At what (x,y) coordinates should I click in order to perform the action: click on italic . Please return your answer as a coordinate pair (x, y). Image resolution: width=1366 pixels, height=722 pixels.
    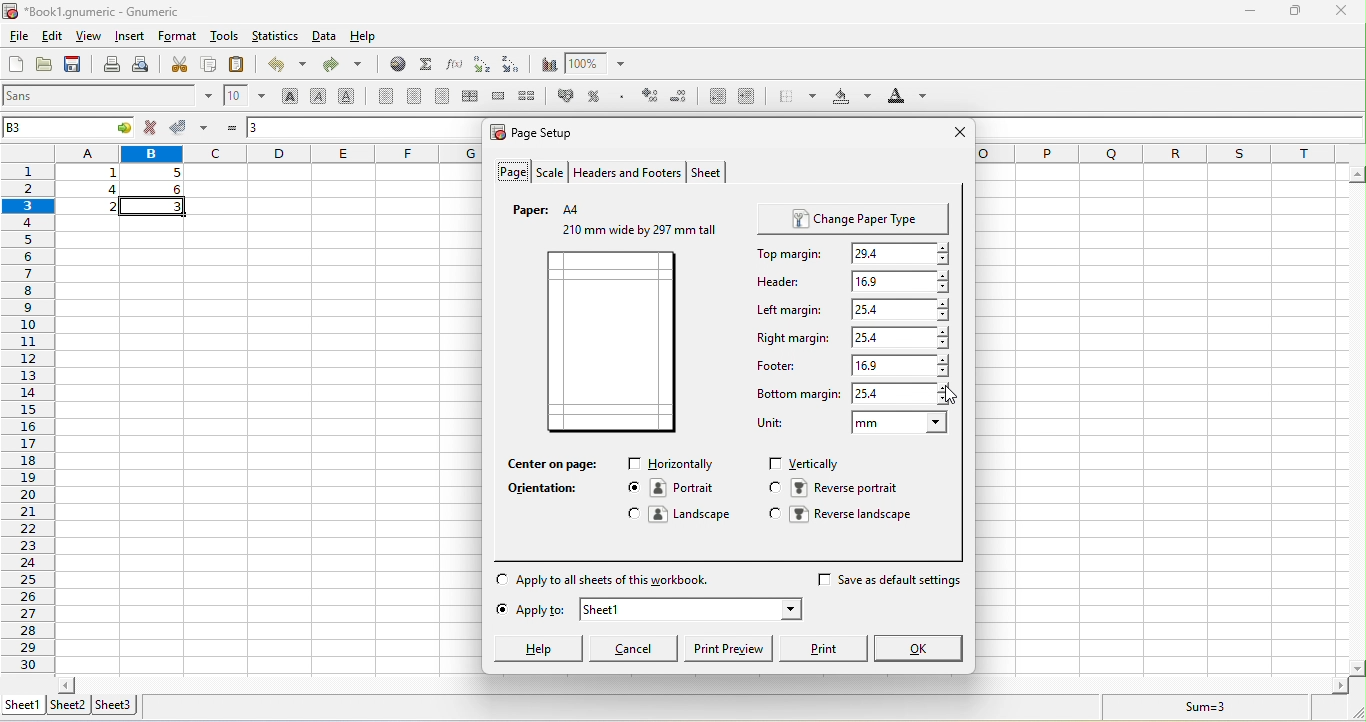
    Looking at the image, I should click on (322, 97).